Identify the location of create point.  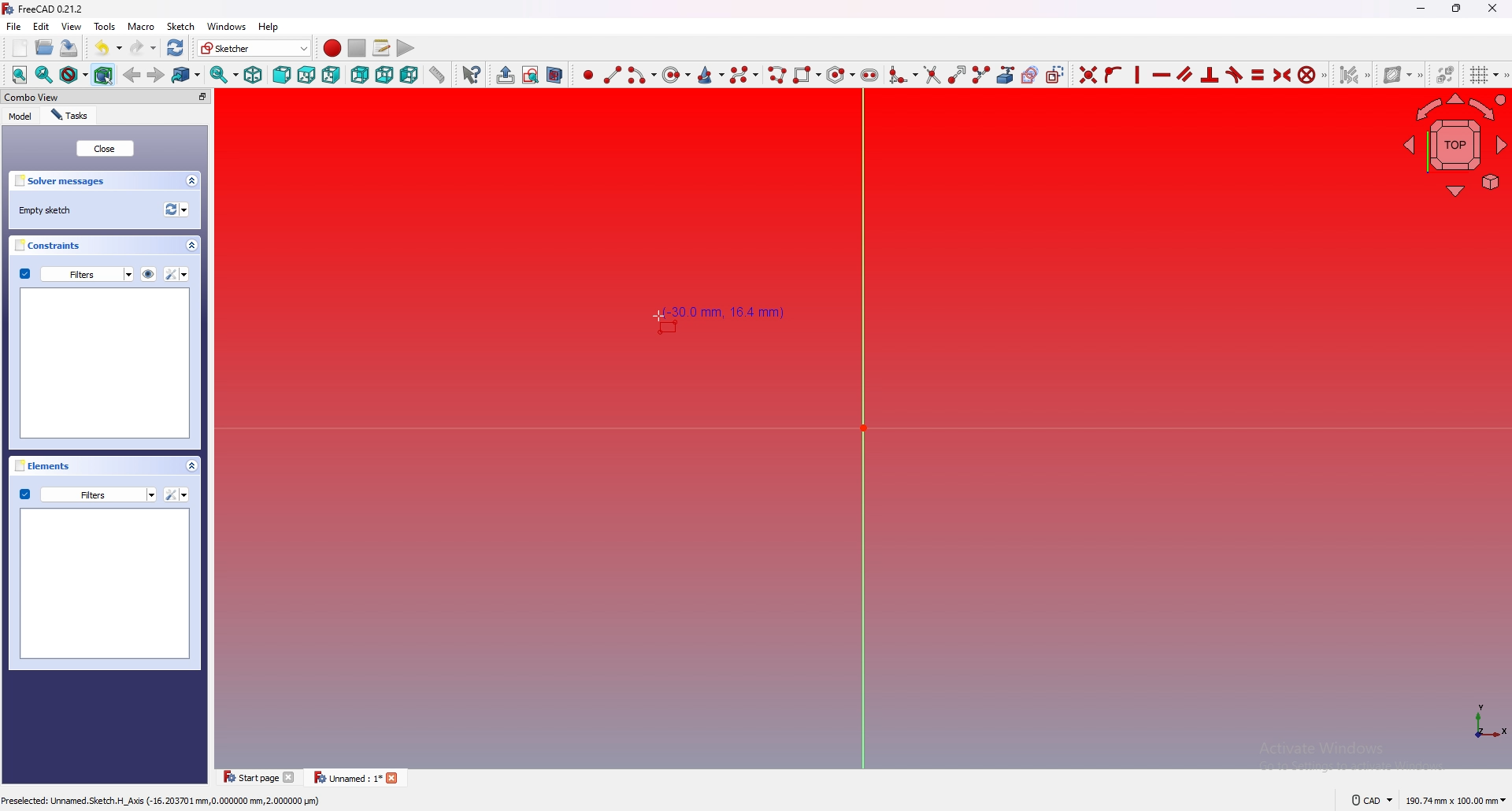
(588, 76).